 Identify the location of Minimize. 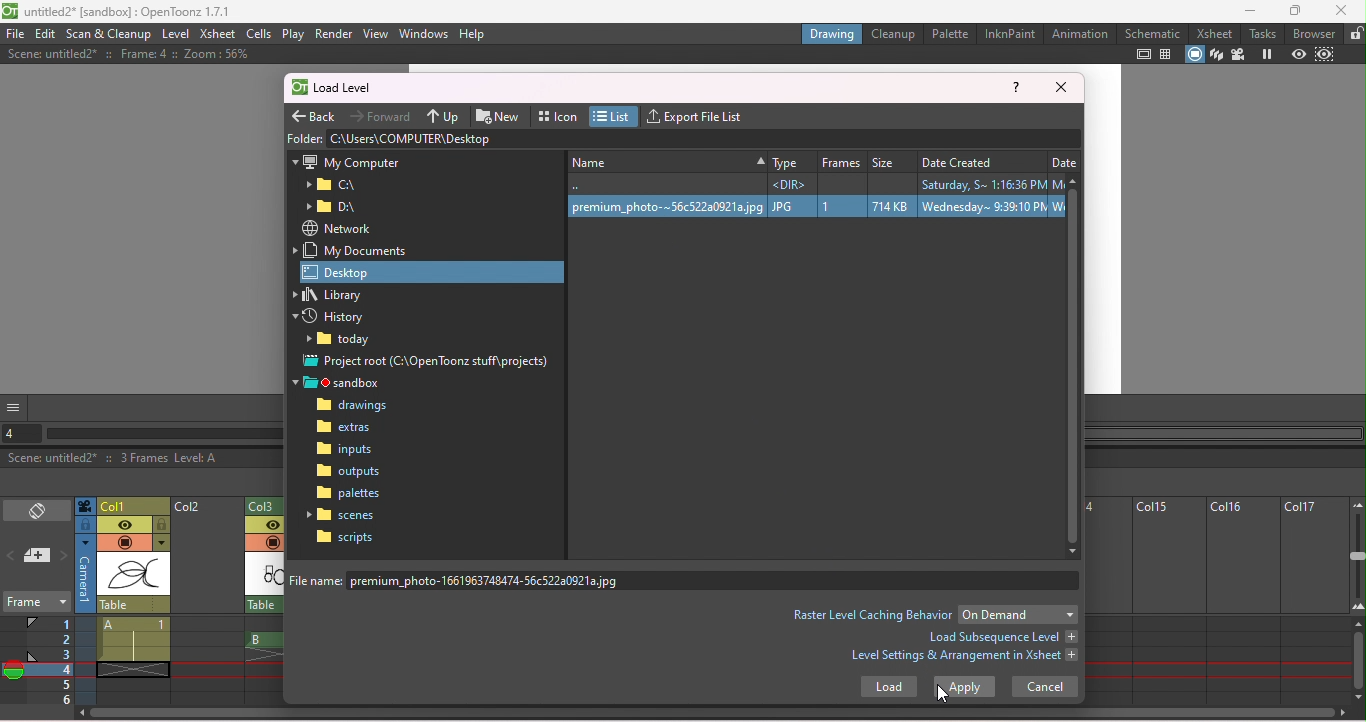
(1250, 10).